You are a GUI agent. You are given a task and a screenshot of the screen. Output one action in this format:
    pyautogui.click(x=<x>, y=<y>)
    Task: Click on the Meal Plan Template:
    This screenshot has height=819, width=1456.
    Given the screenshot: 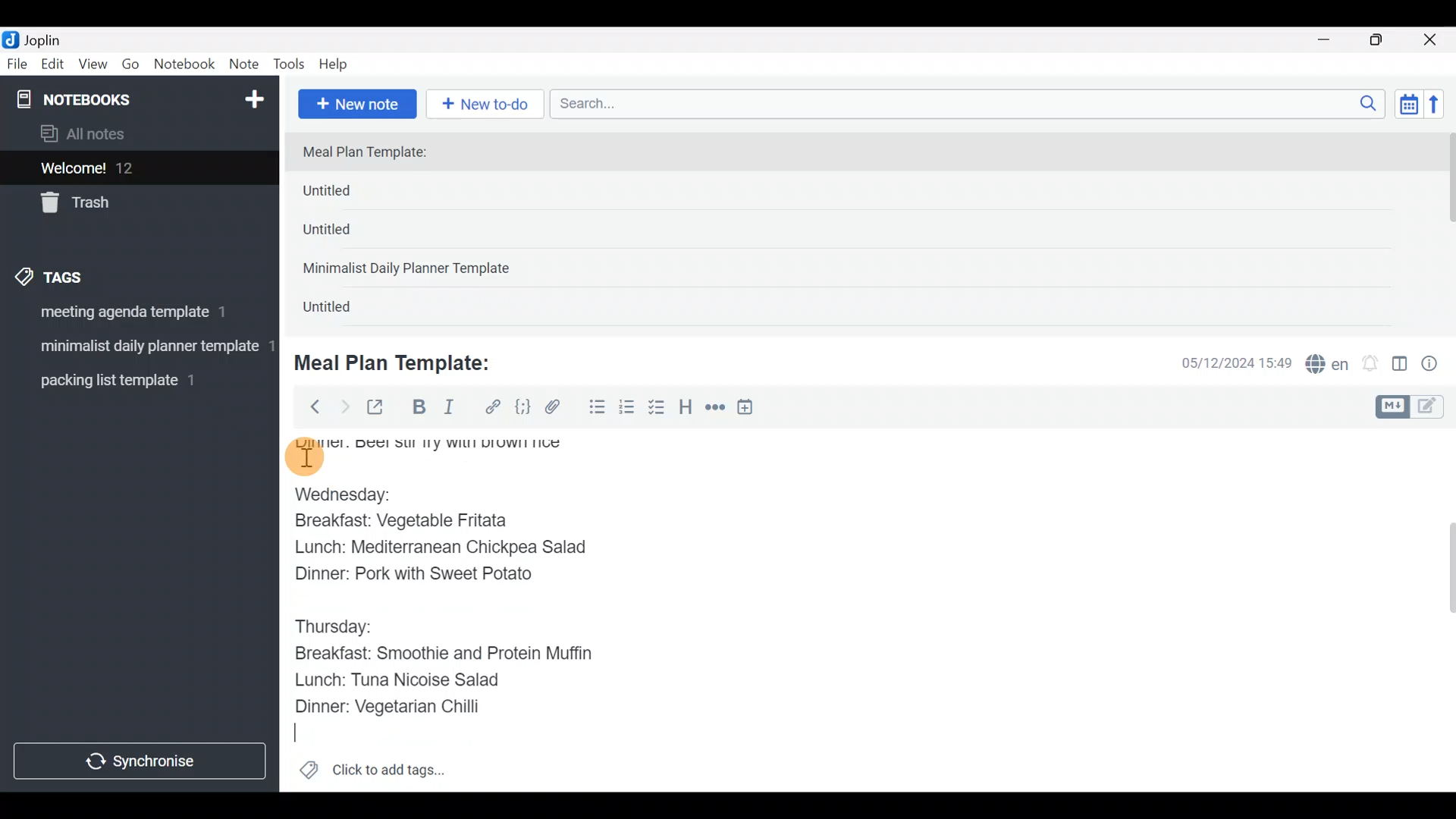 What is the action you would take?
    pyautogui.click(x=374, y=153)
    